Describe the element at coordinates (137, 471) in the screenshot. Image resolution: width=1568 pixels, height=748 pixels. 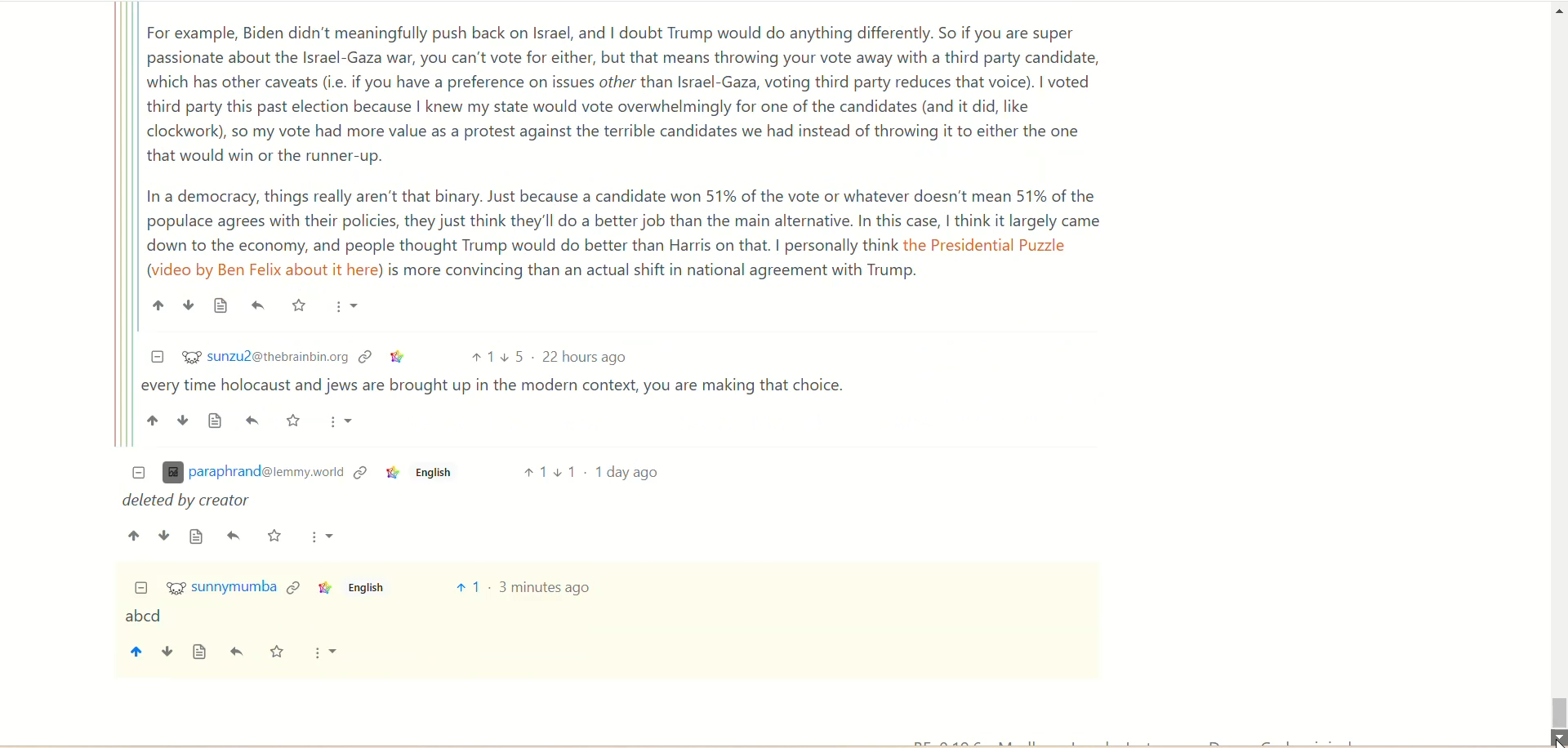
I see `Collapse` at that location.